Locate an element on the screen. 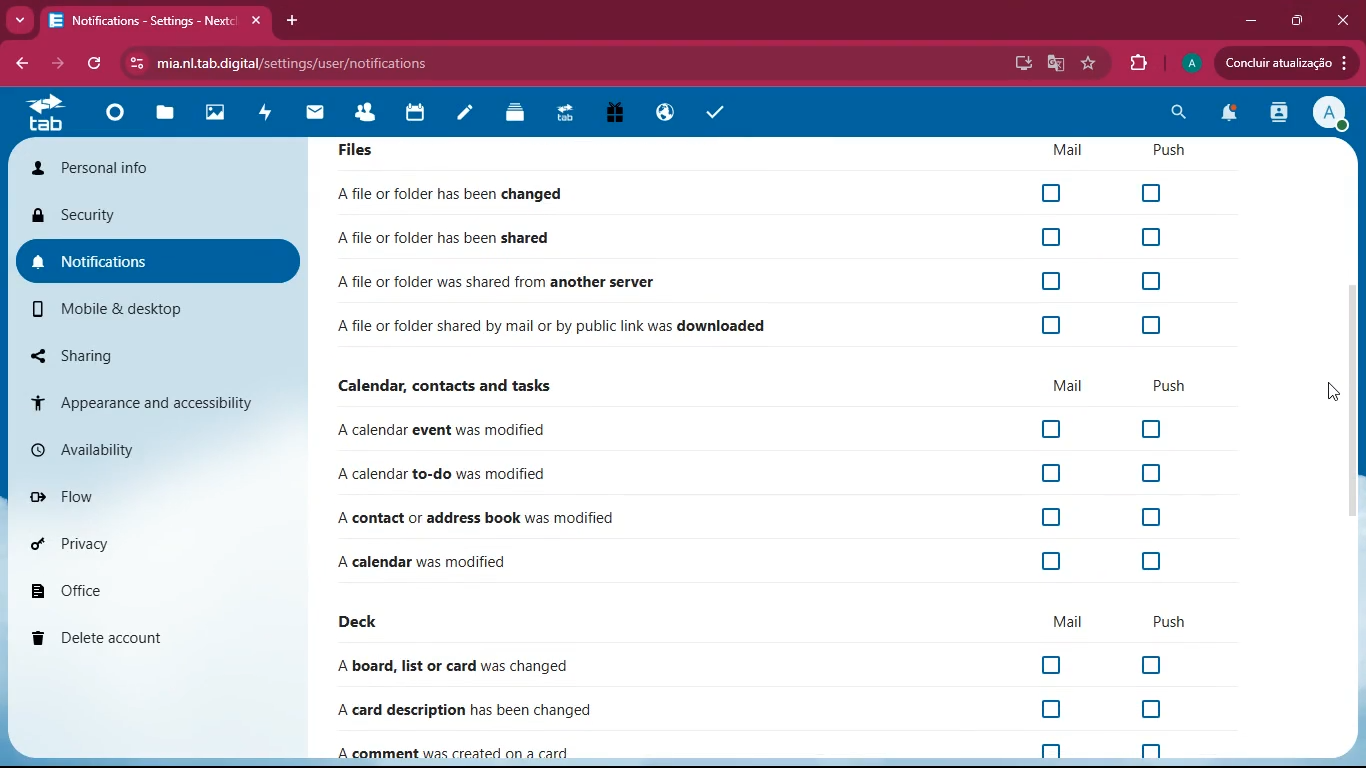 The height and width of the screenshot is (768, 1366). mail is located at coordinates (1065, 387).